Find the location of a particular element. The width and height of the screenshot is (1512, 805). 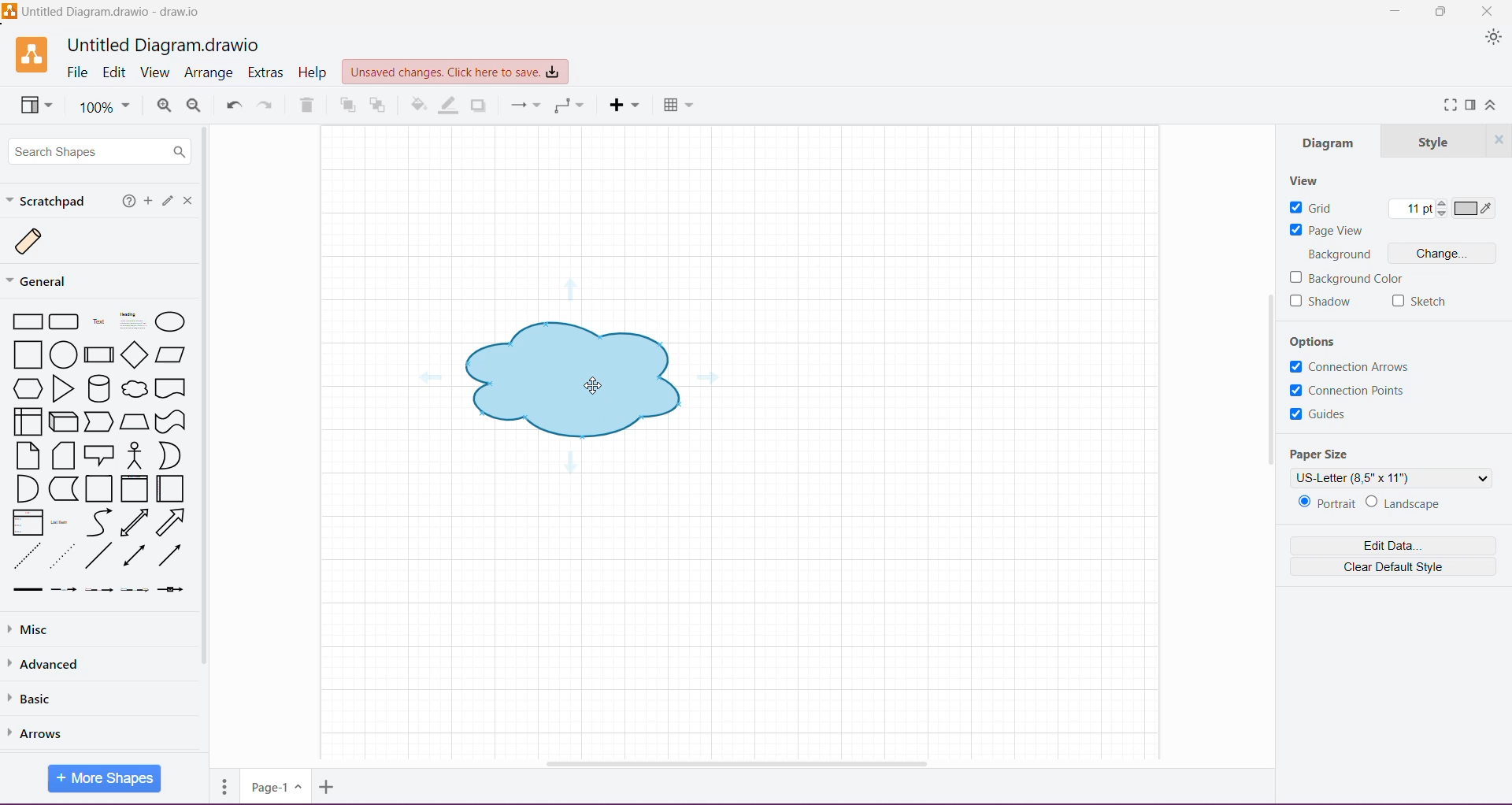

Untitled Diagram.draw.io is located at coordinates (164, 43).